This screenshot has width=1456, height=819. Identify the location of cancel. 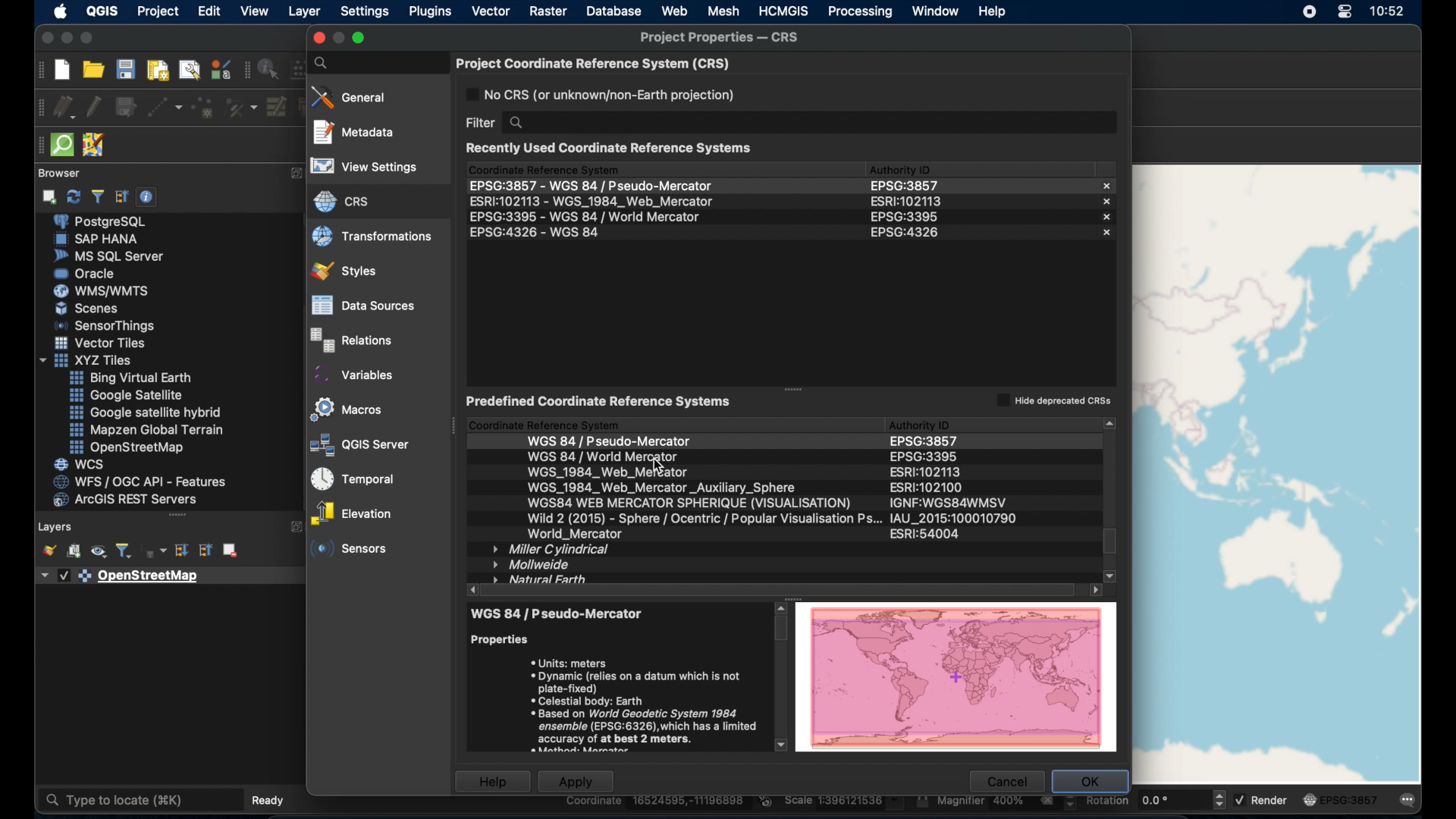
(1007, 781).